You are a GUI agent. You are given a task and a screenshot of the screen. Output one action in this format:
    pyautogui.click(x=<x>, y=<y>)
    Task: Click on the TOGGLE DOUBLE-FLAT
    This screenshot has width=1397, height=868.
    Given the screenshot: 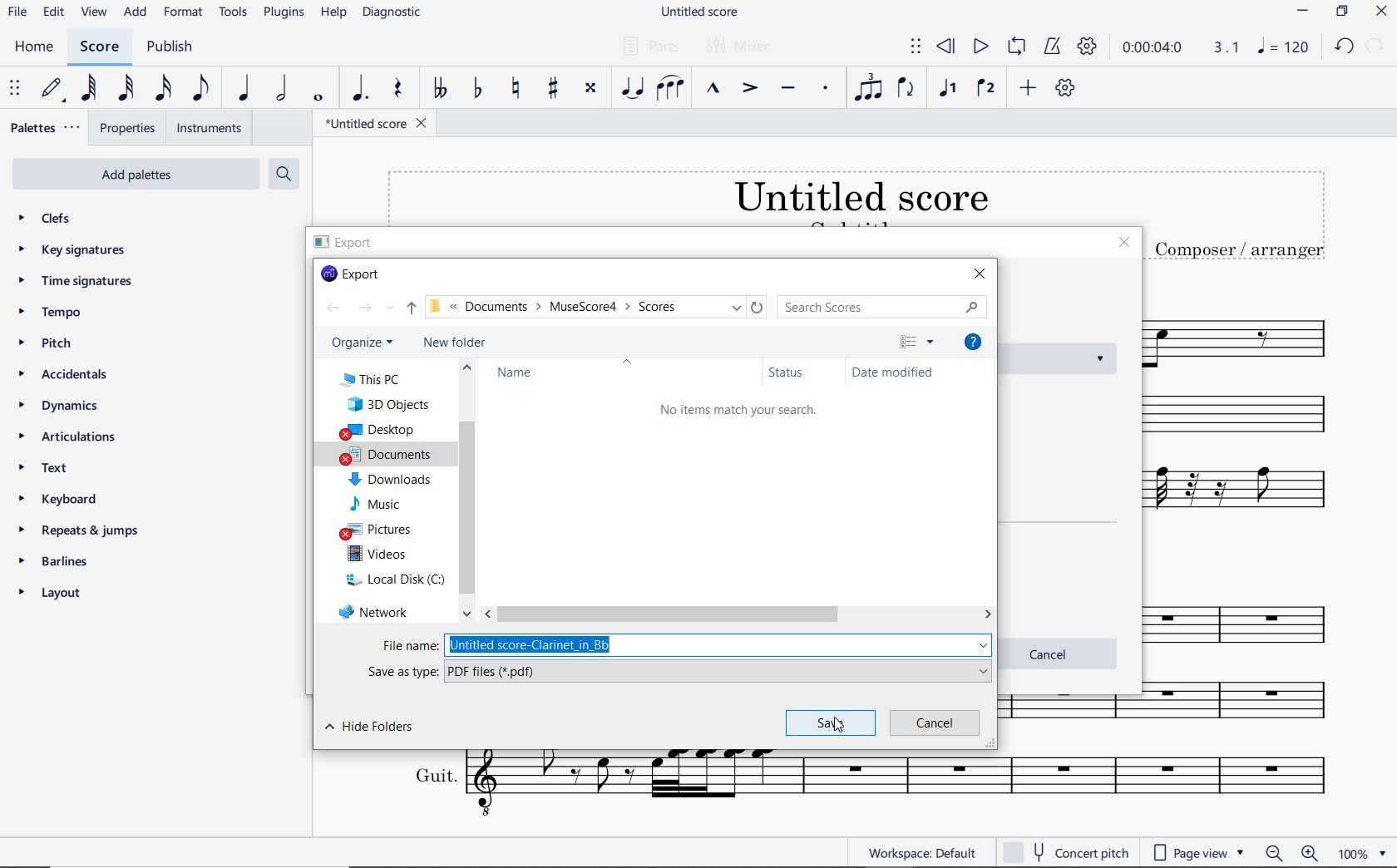 What is the action you would take?
    pyautogui.click(x=440, y=89)
    